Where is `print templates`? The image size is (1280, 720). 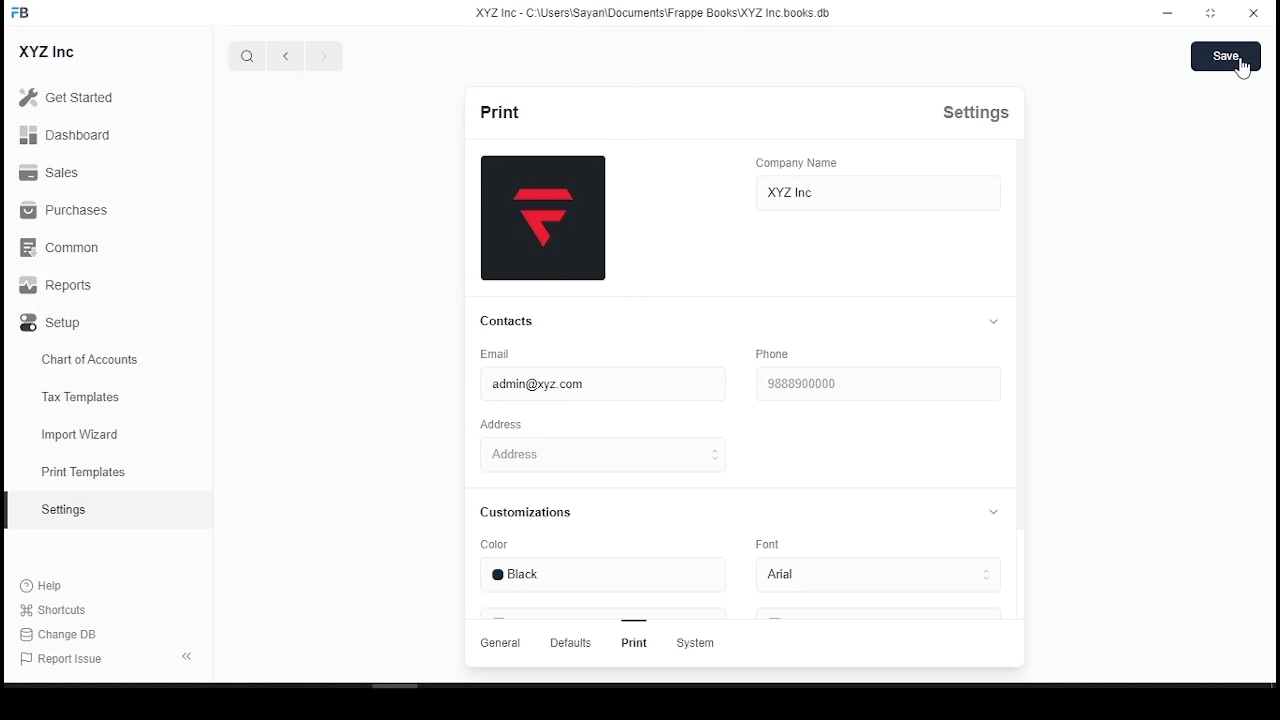 print templates is located at coordinates (79, 472).